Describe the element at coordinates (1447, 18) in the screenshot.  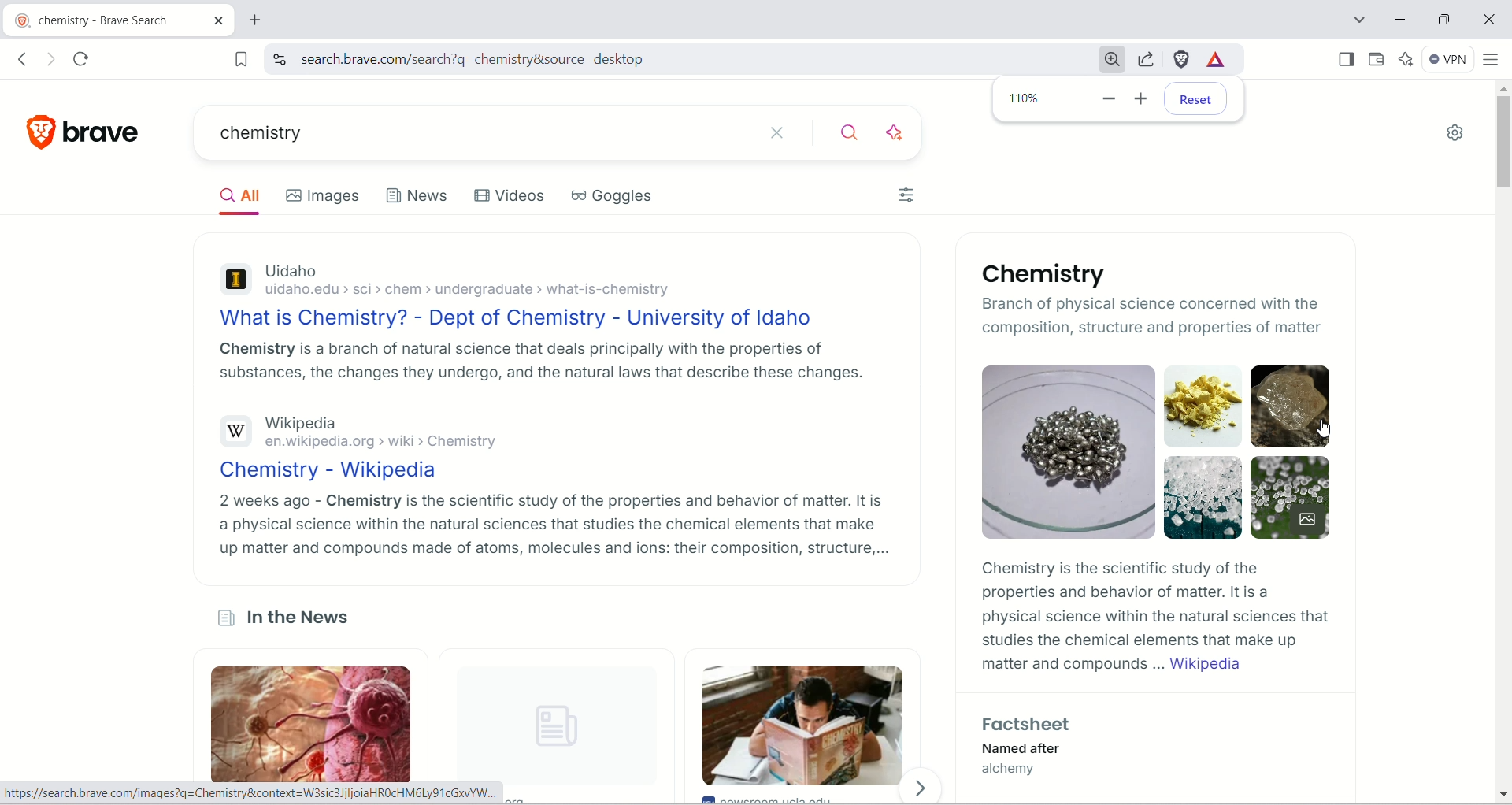
I see `maximize` at that location.